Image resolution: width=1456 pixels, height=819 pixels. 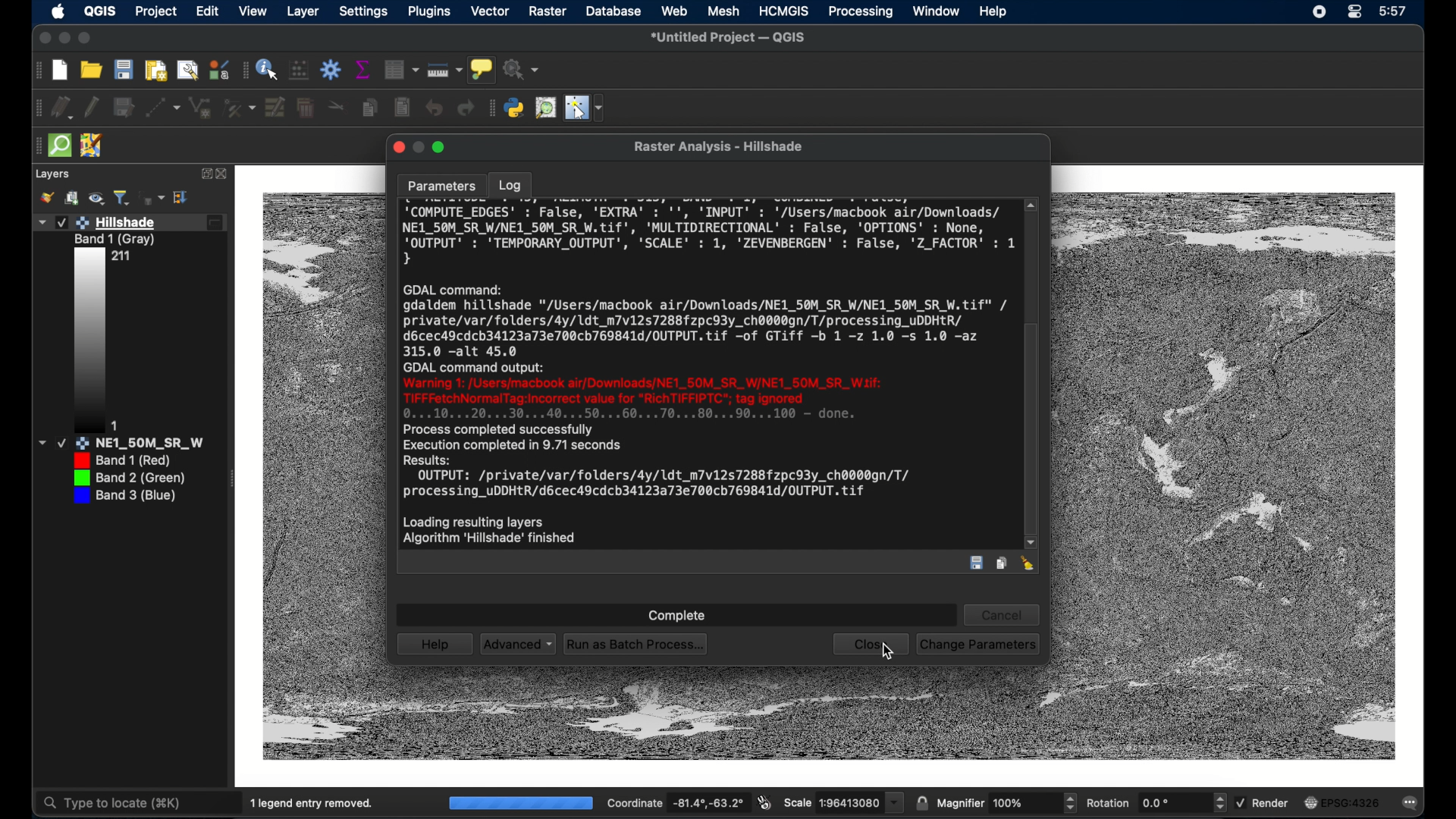 What do you see at coordinates (370, 108) in the screenshot?
I see `copy` at bounding box center [370, 108].